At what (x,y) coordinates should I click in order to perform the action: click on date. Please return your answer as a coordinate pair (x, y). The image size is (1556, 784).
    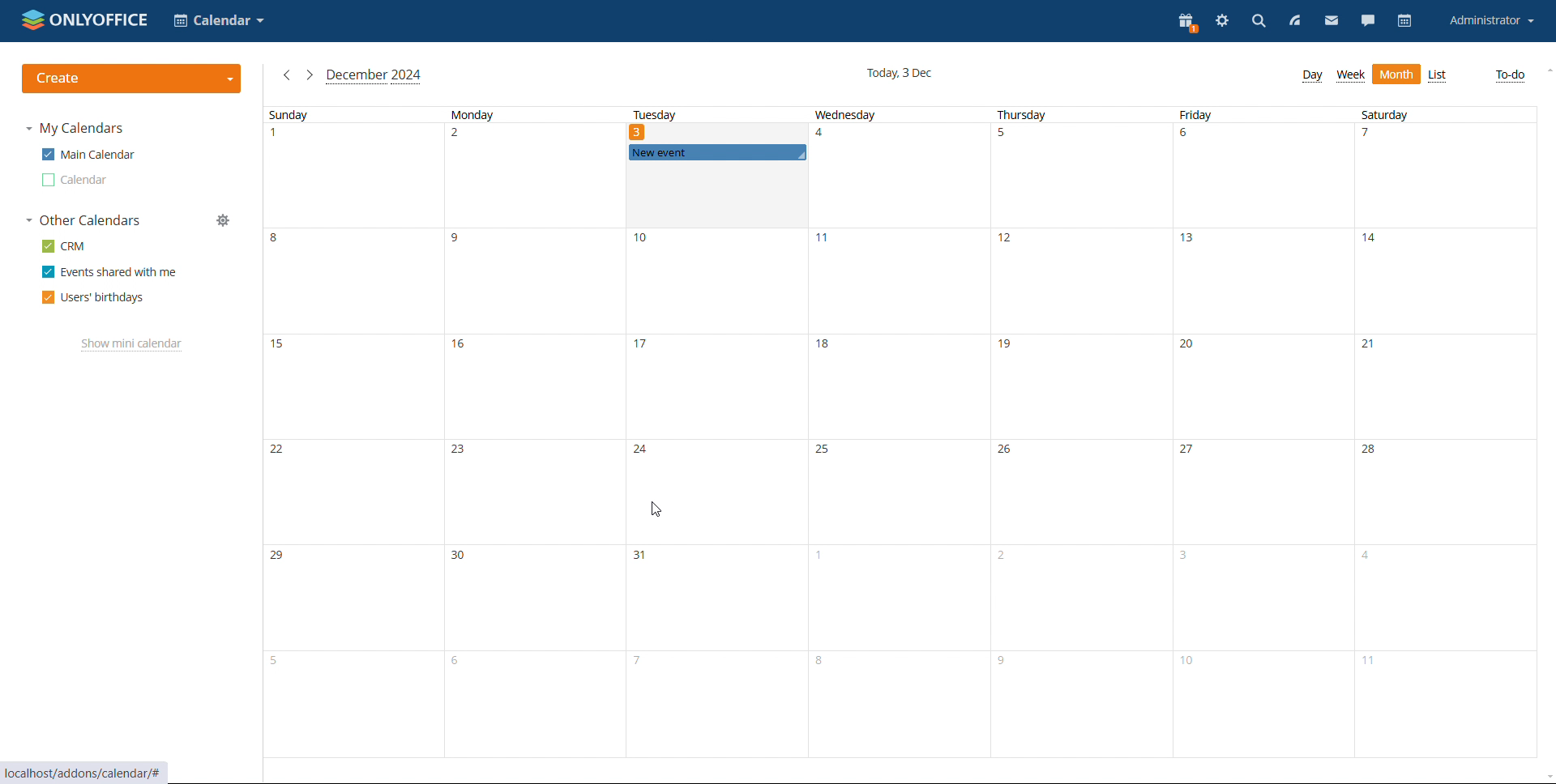
    Looking at the image, I should click on (900, 703).